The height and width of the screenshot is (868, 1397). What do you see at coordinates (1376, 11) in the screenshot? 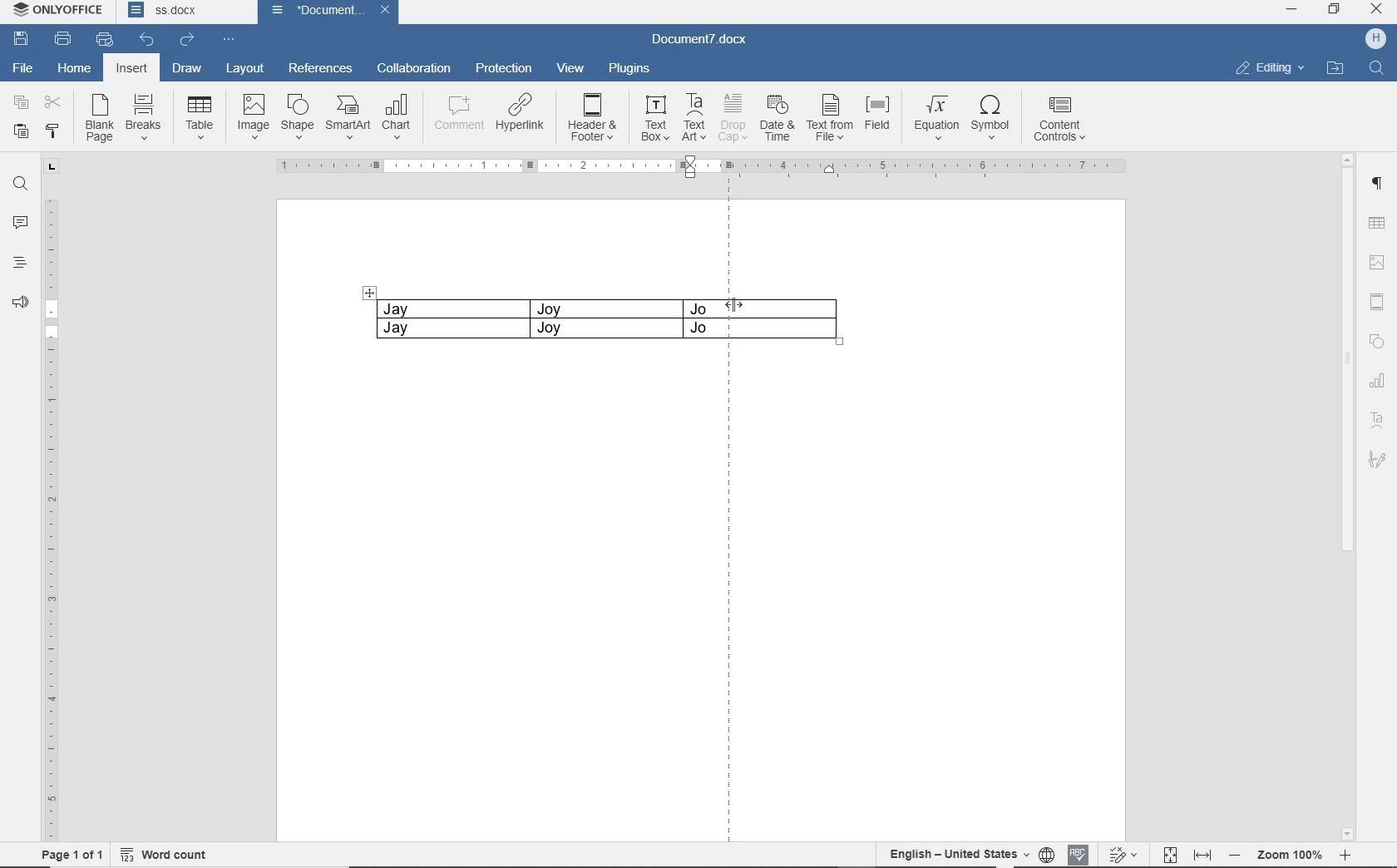
I see `CLOSE` at bounding box center [1376, 11].